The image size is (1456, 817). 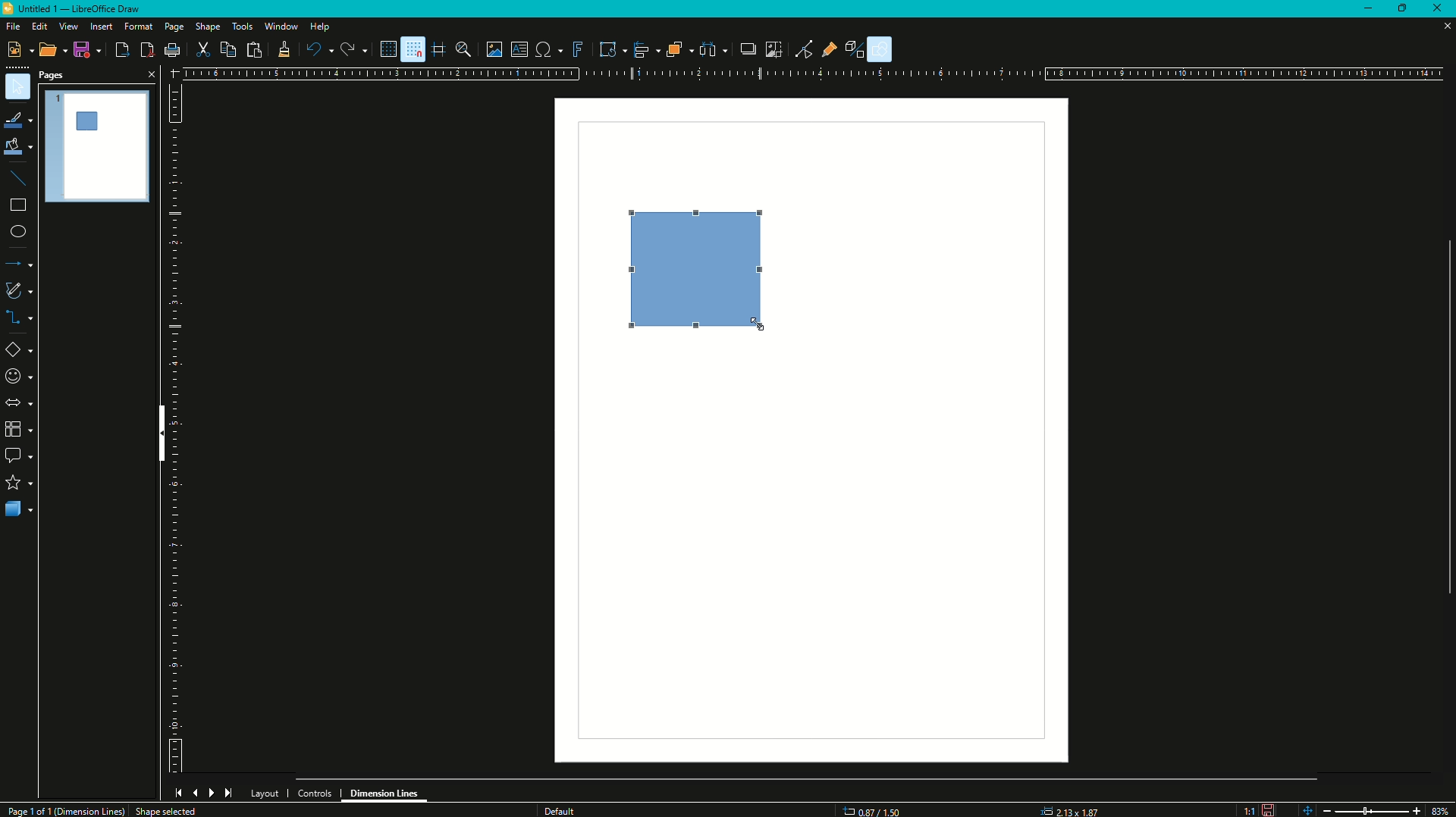 I want to click on Clone Formatting, so click(x=284, y=50).